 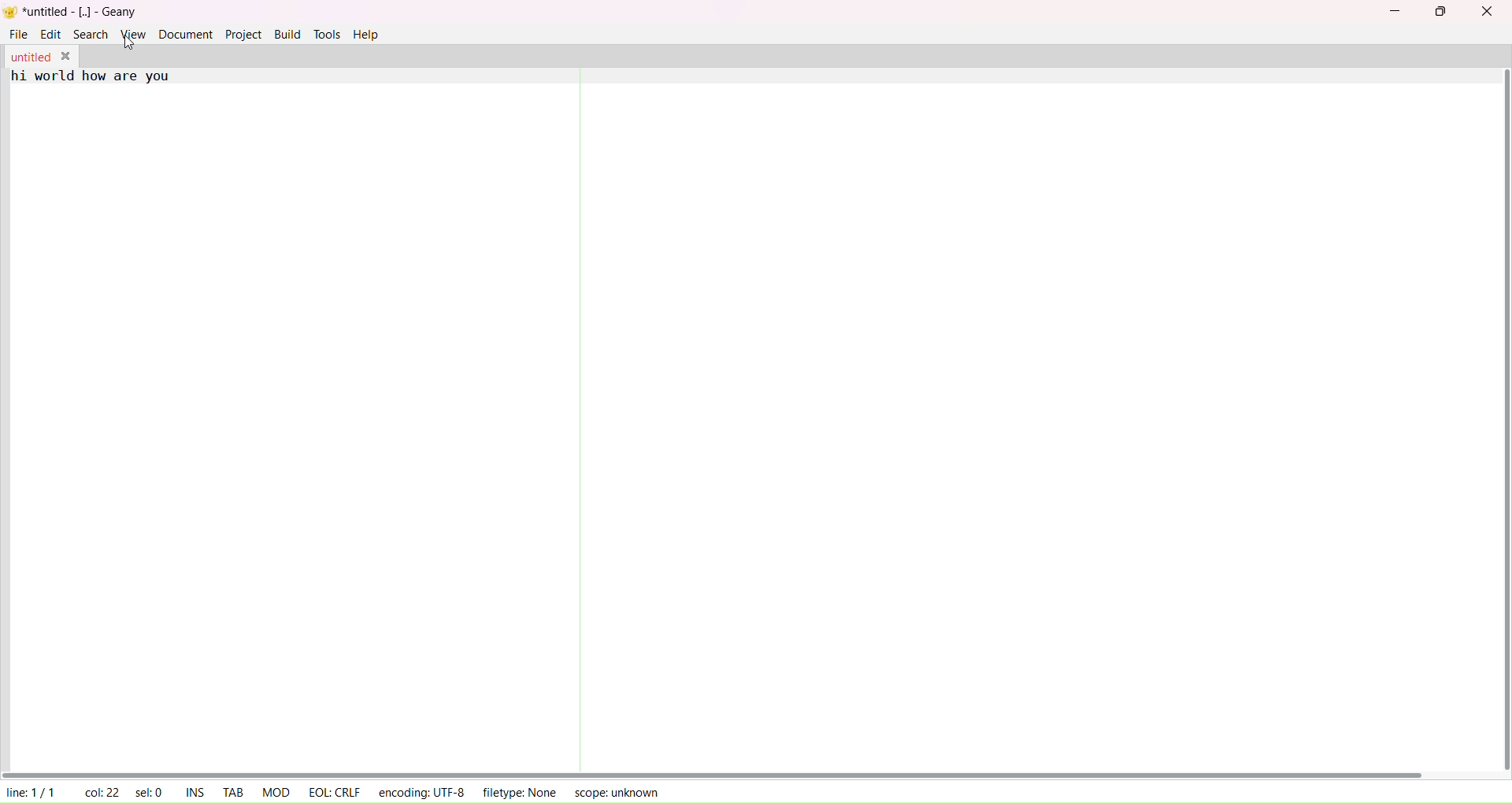 I want to click on eol:crlf, so click(x=331, y=791).